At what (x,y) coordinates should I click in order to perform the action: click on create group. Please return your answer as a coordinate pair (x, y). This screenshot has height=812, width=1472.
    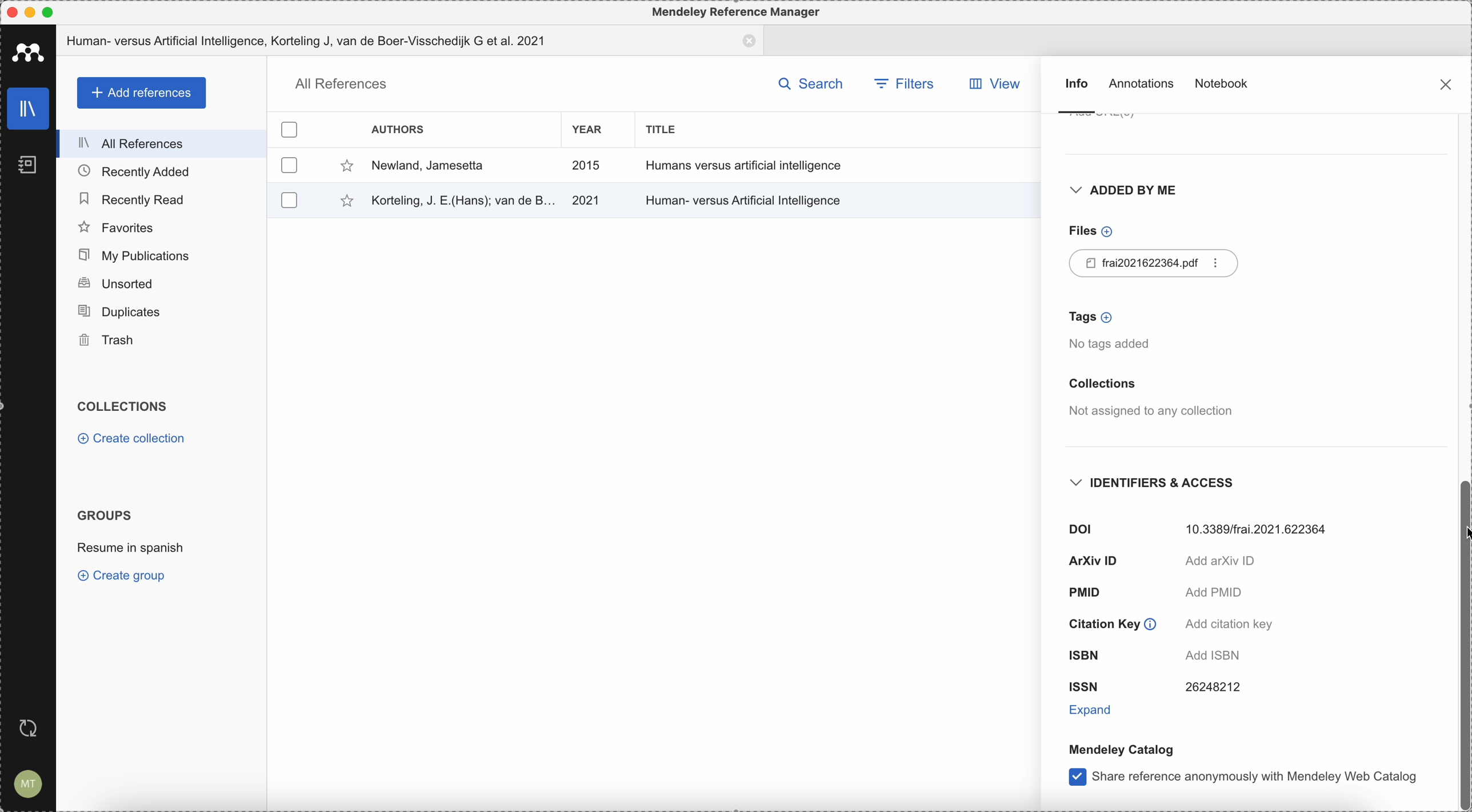
    Looking at the image, I should click on (125, 577).